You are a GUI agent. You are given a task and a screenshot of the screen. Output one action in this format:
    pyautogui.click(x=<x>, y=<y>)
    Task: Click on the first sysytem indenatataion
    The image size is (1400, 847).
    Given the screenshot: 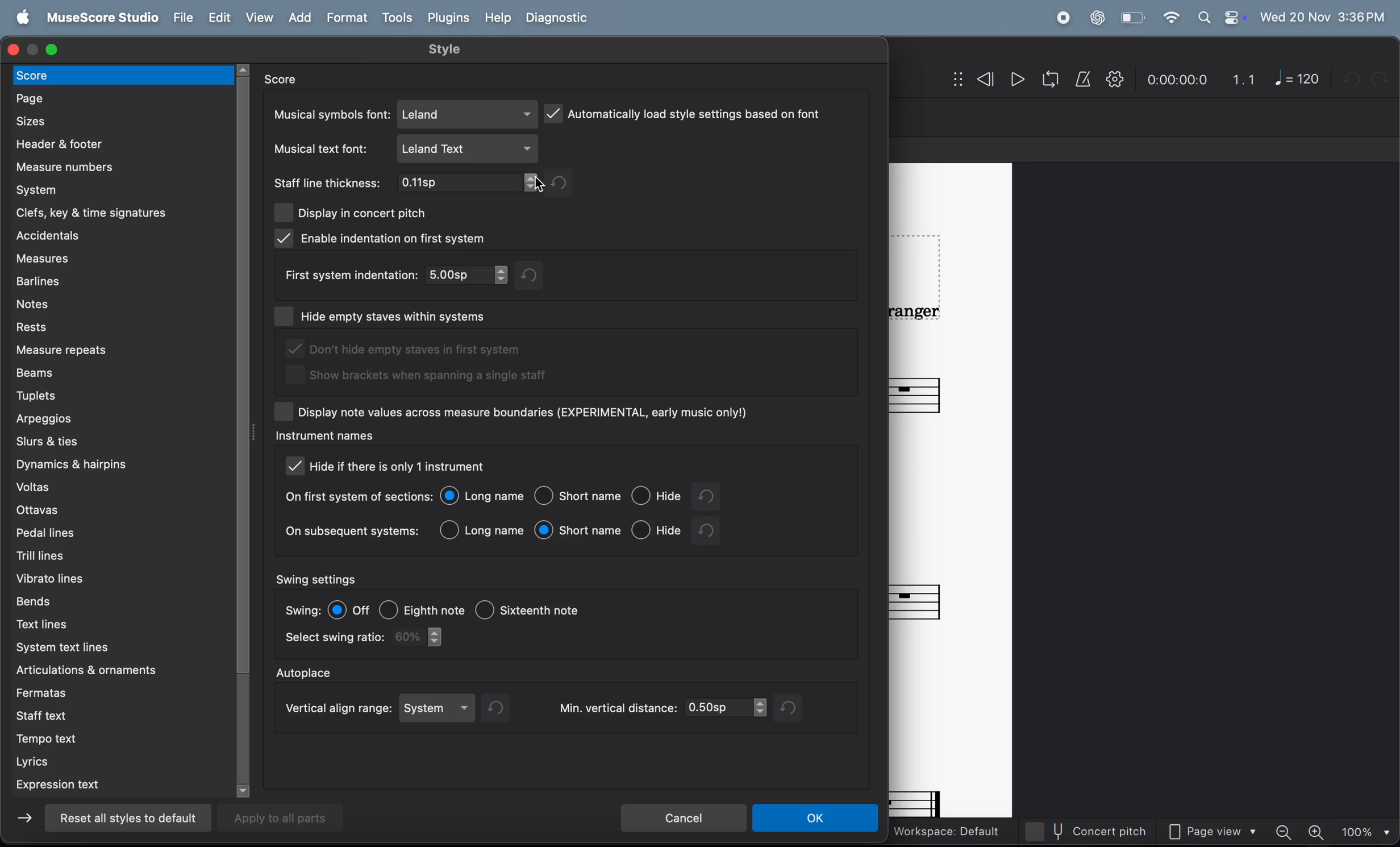 What is the action you would take?
    pyautogui.click(x=348, y=275)
    